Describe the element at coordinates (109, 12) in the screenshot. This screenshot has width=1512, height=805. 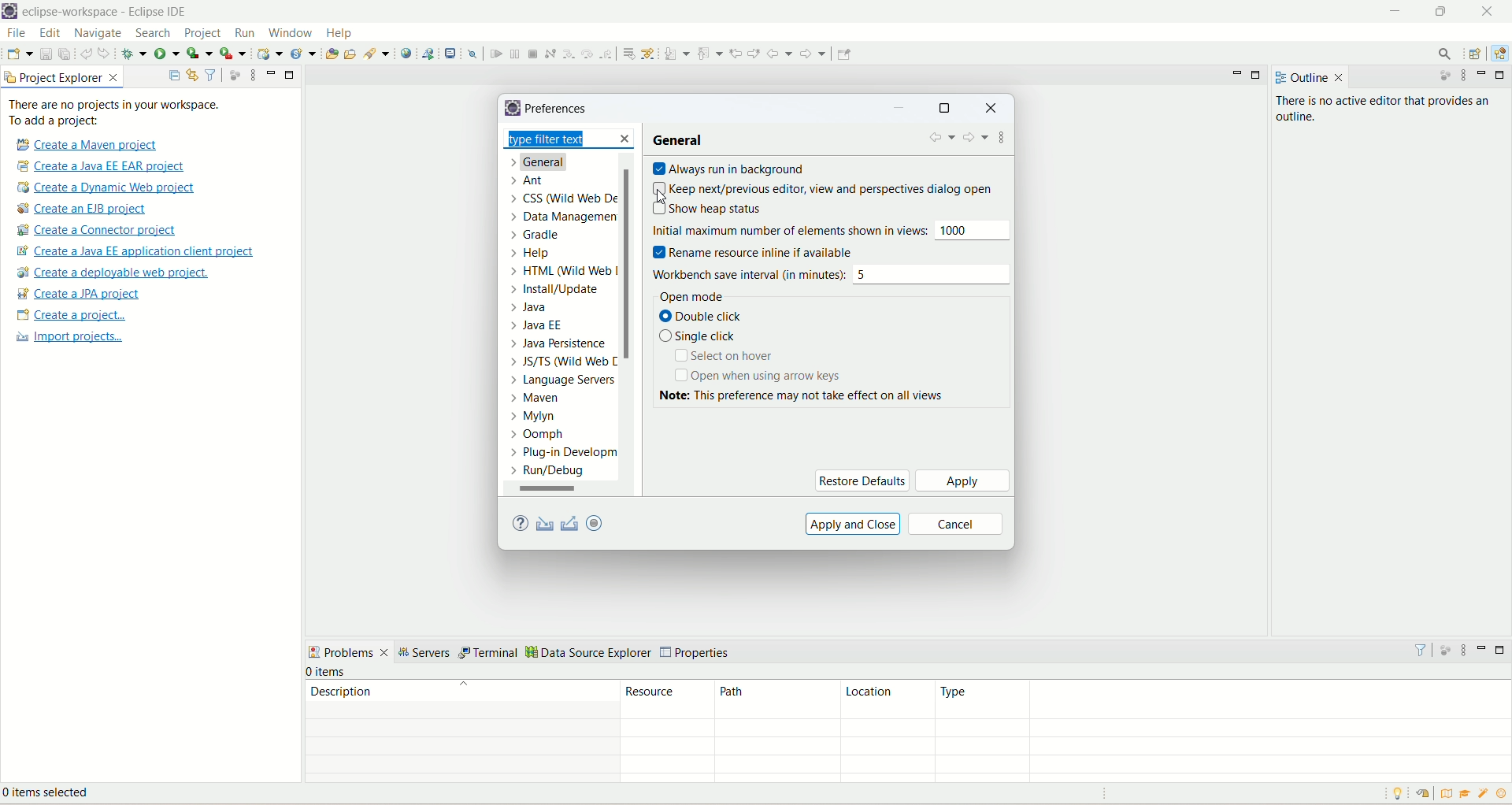
I see `eclipse workspace-Eclipse IDE` at that location.